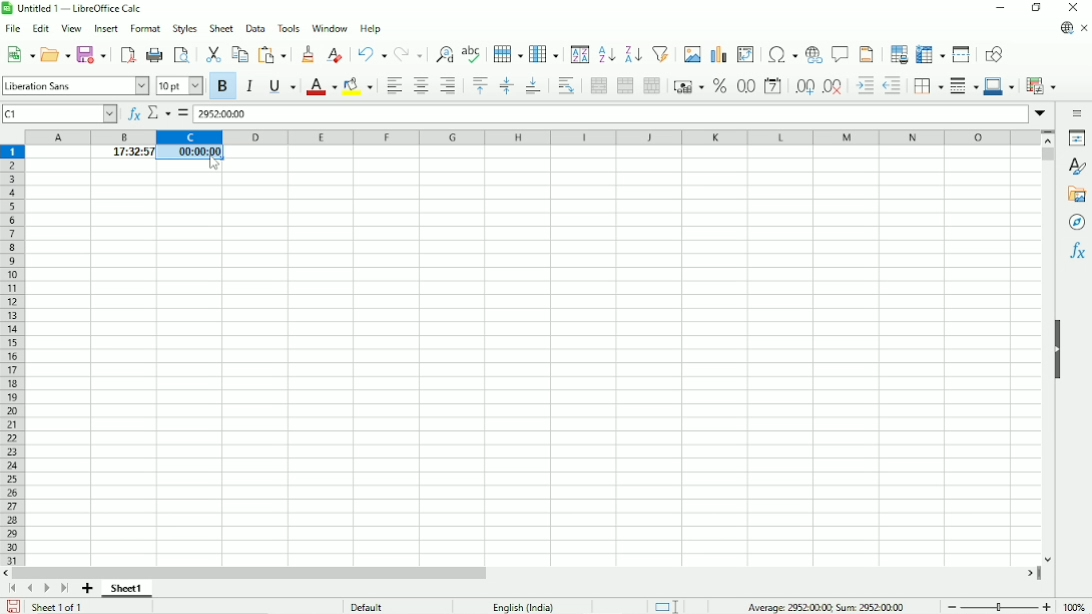 The image size is (1092, 614). I want to click on Formula, so click(183, 113).